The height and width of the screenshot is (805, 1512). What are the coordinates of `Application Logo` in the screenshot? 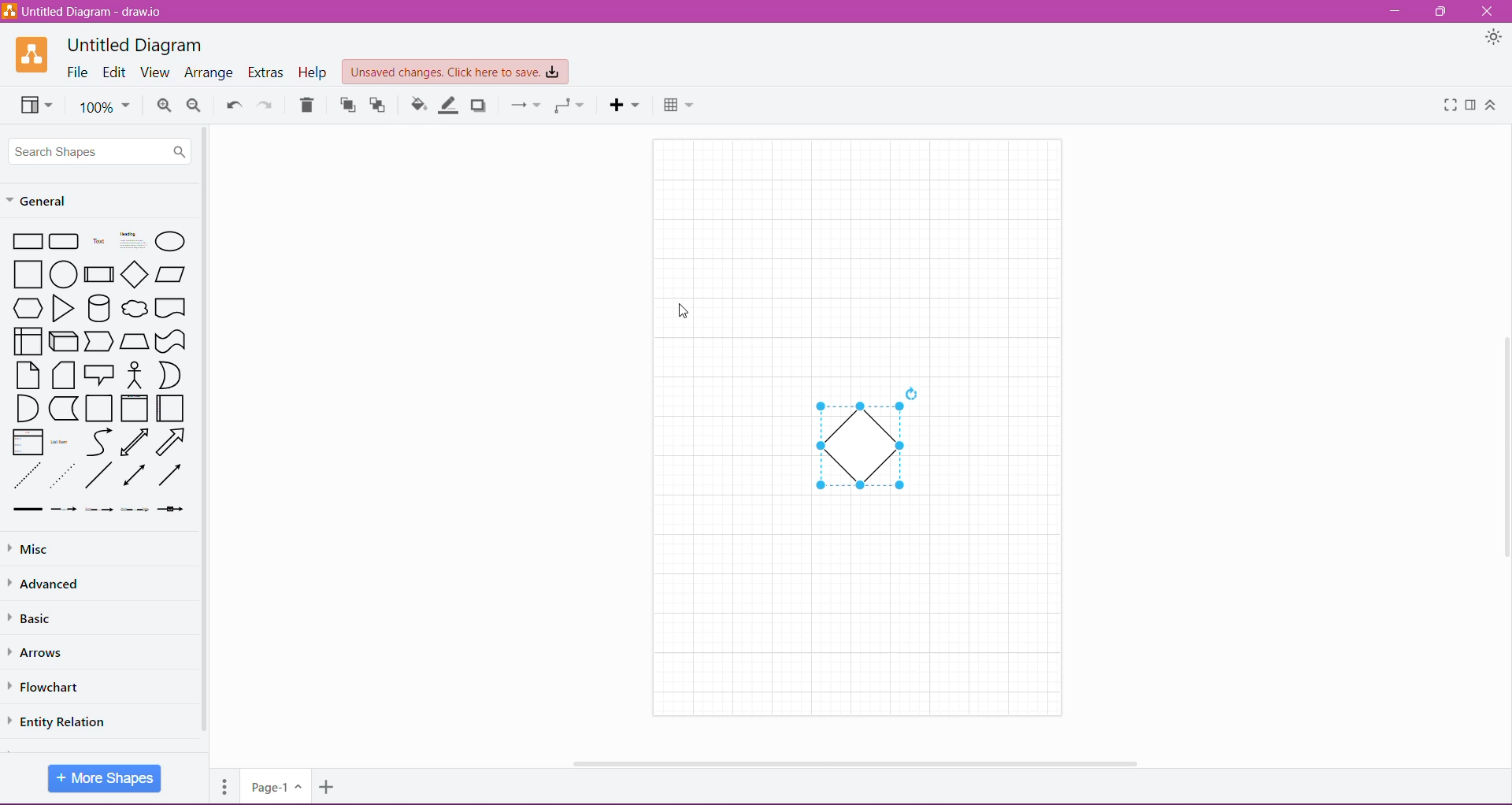 It's located at (31, 54).